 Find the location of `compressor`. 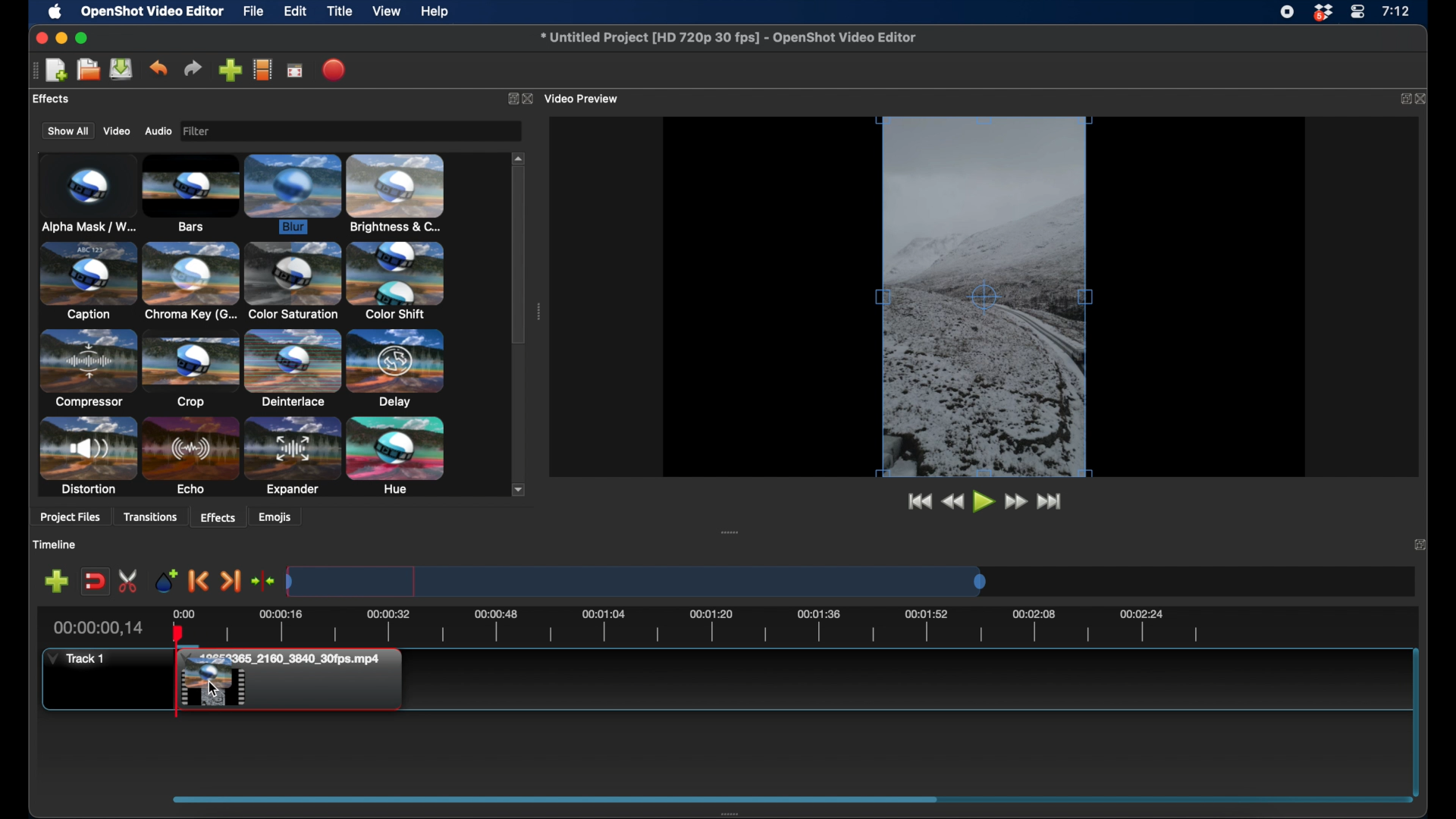

compressor is located at coordinates (86, 368).